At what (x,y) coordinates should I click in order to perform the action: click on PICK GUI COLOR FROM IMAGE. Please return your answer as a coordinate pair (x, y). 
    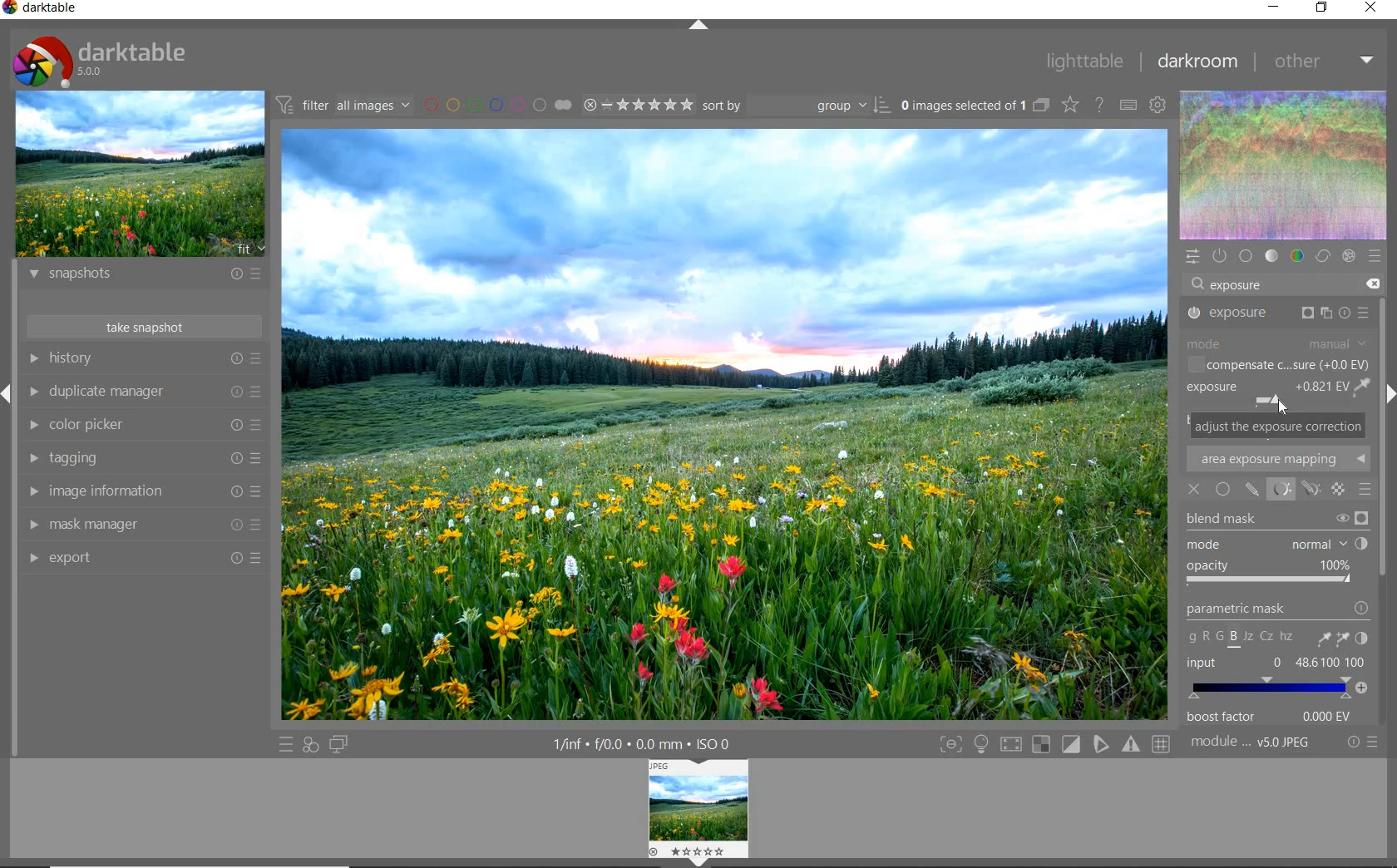
    Looking at the image, I should click on (1364, 389).